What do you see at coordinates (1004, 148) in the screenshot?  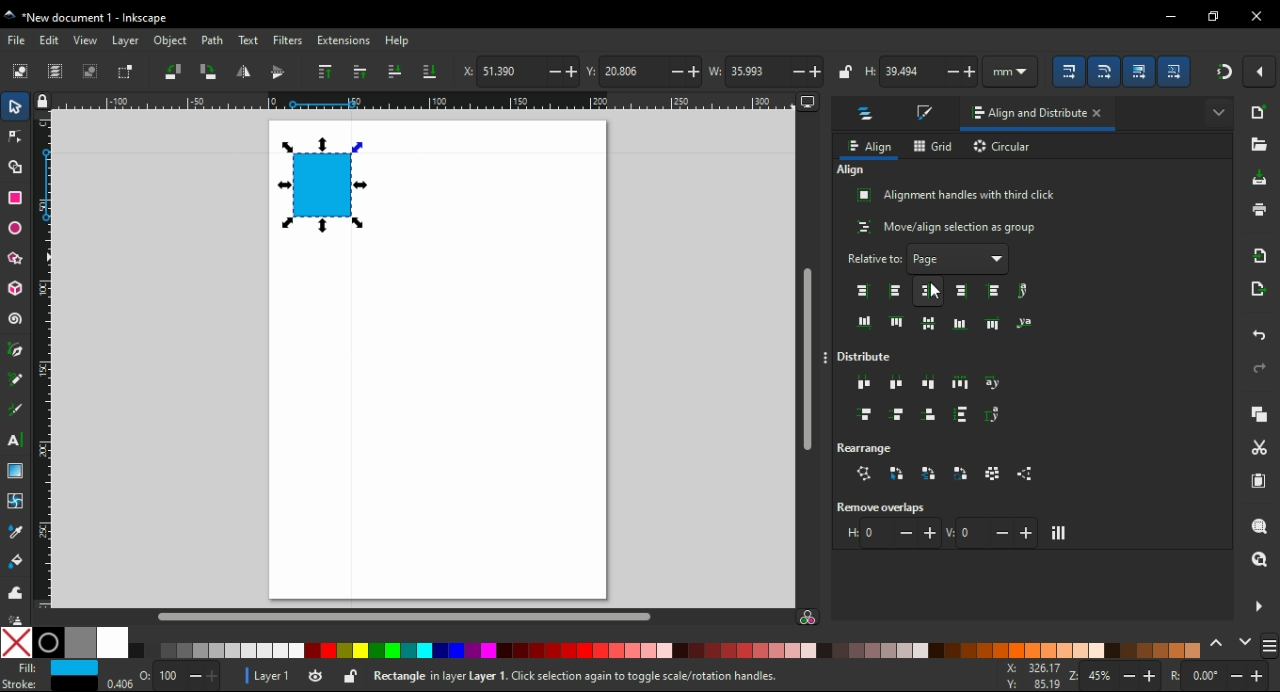 I see `circular` at bounding box center [1004, 148].